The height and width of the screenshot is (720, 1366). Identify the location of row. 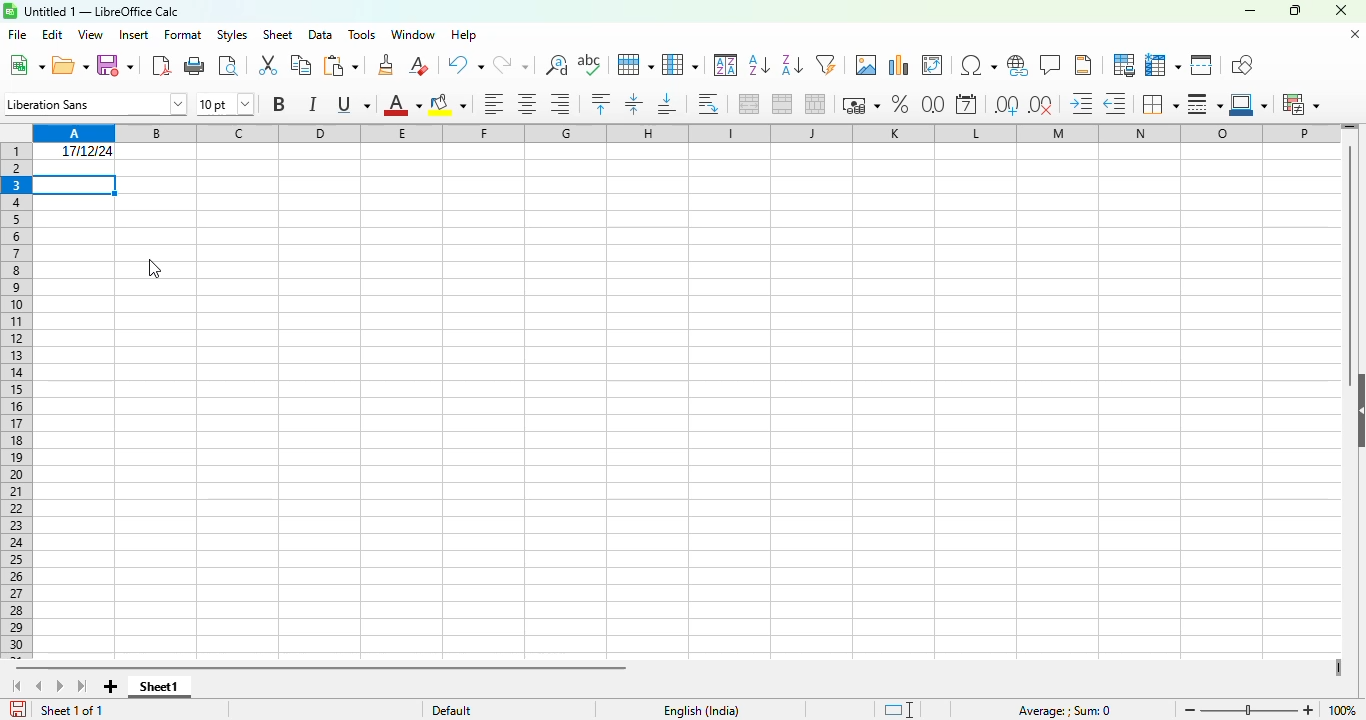
(634, 65).